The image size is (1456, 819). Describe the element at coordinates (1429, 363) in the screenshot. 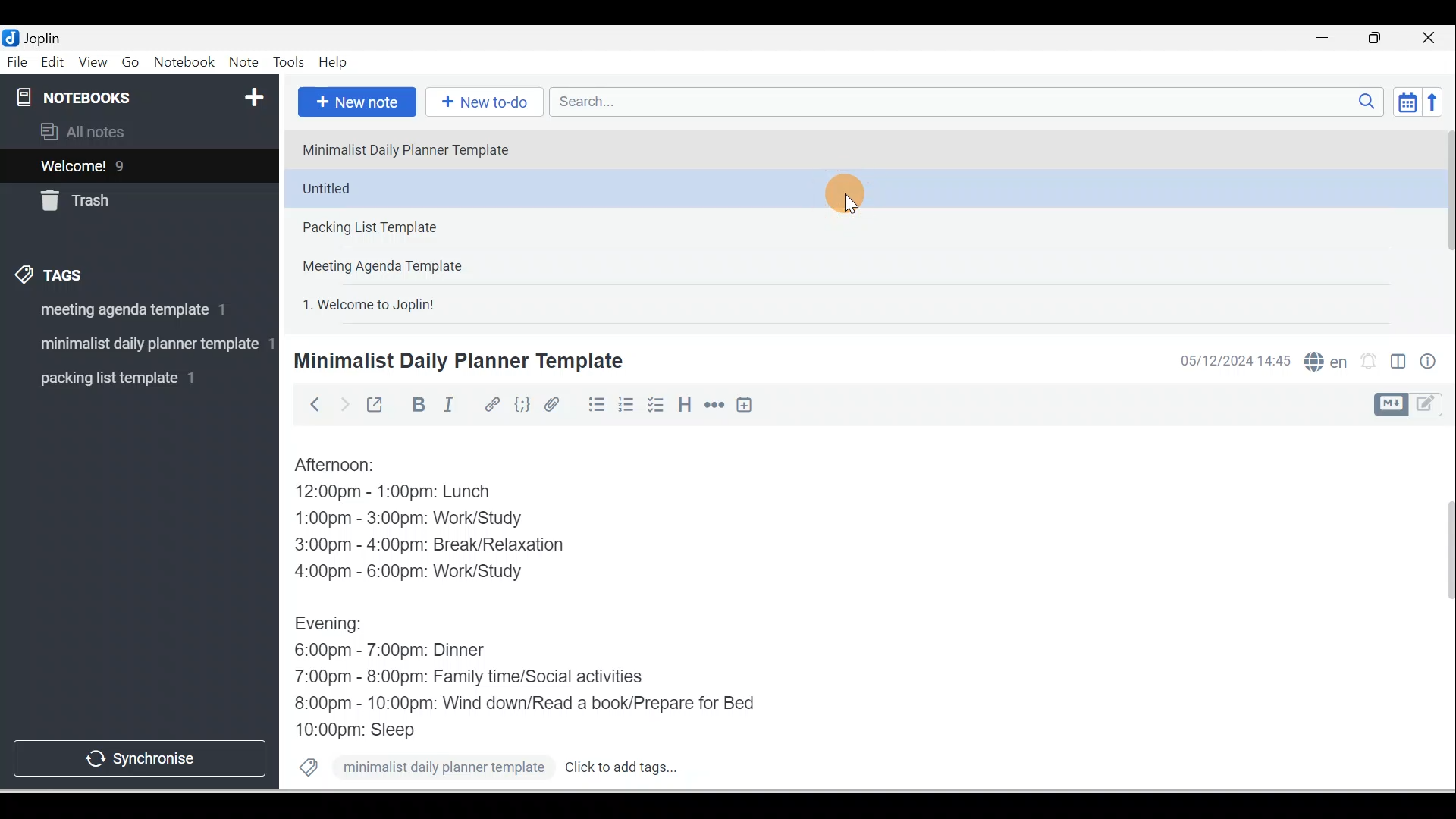

I see `Note properties` at that location.